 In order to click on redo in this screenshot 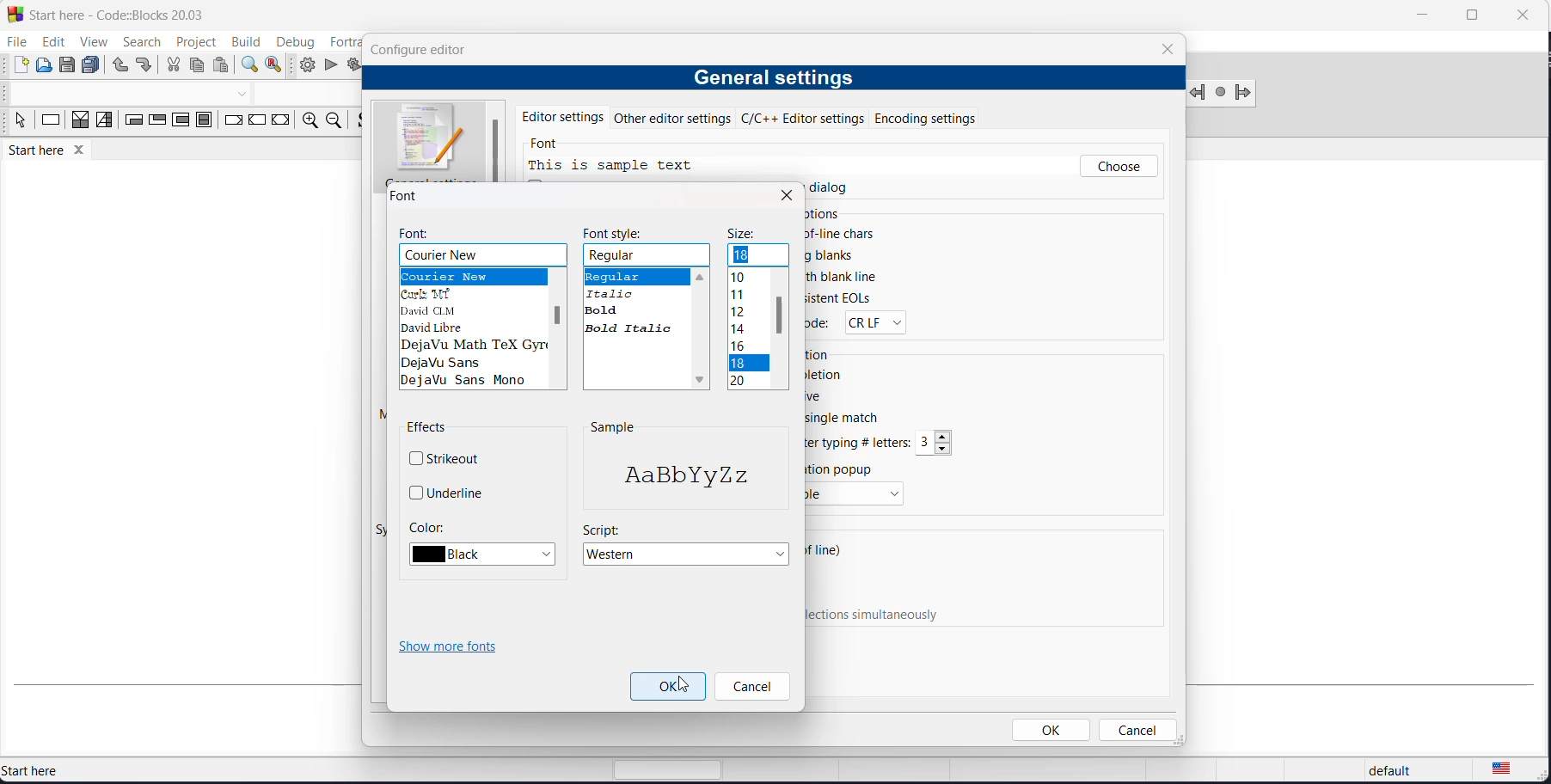, I will do `click(145, 67)`.